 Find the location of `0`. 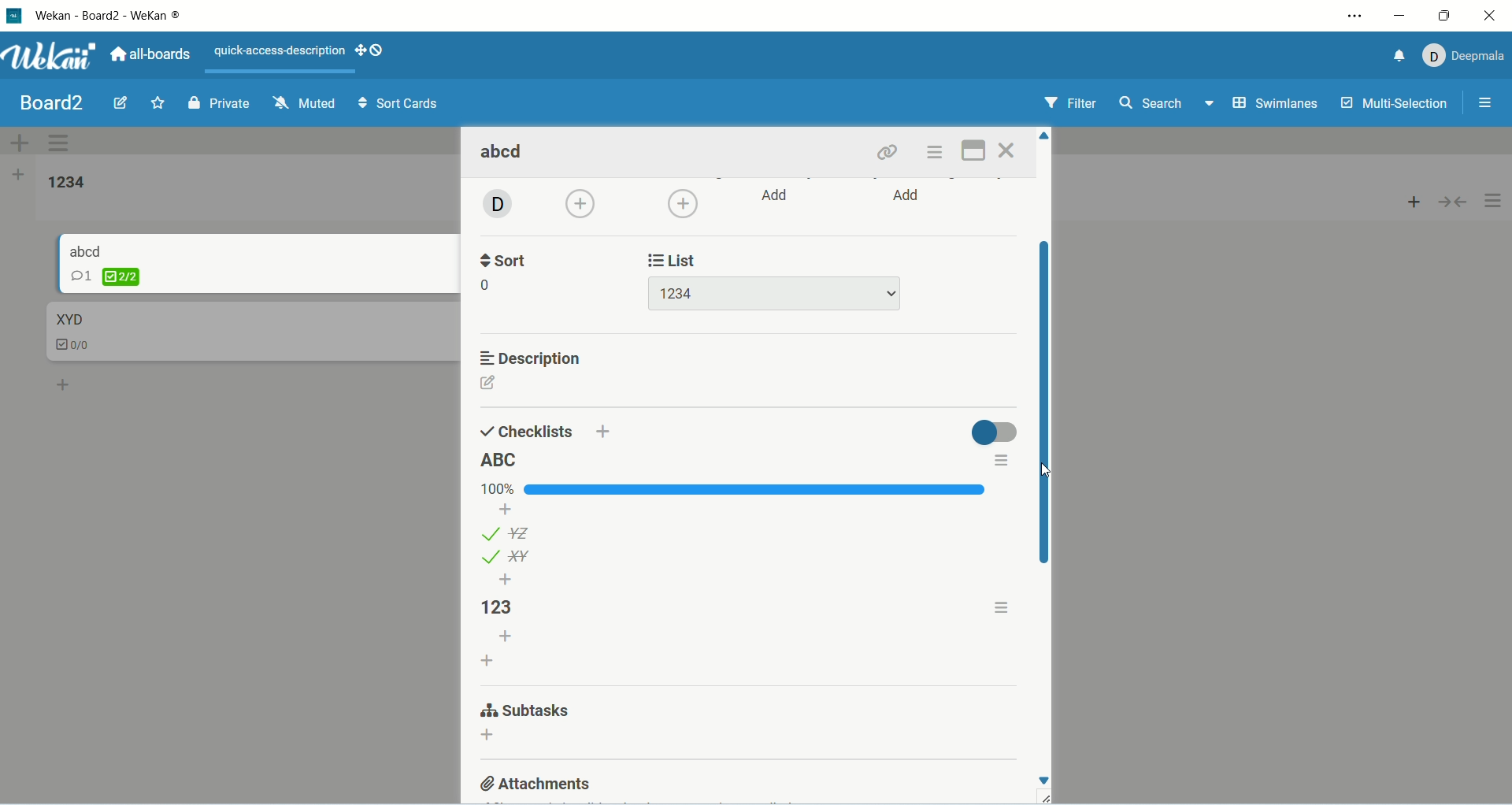

0 is located at coordinates (489, 286).